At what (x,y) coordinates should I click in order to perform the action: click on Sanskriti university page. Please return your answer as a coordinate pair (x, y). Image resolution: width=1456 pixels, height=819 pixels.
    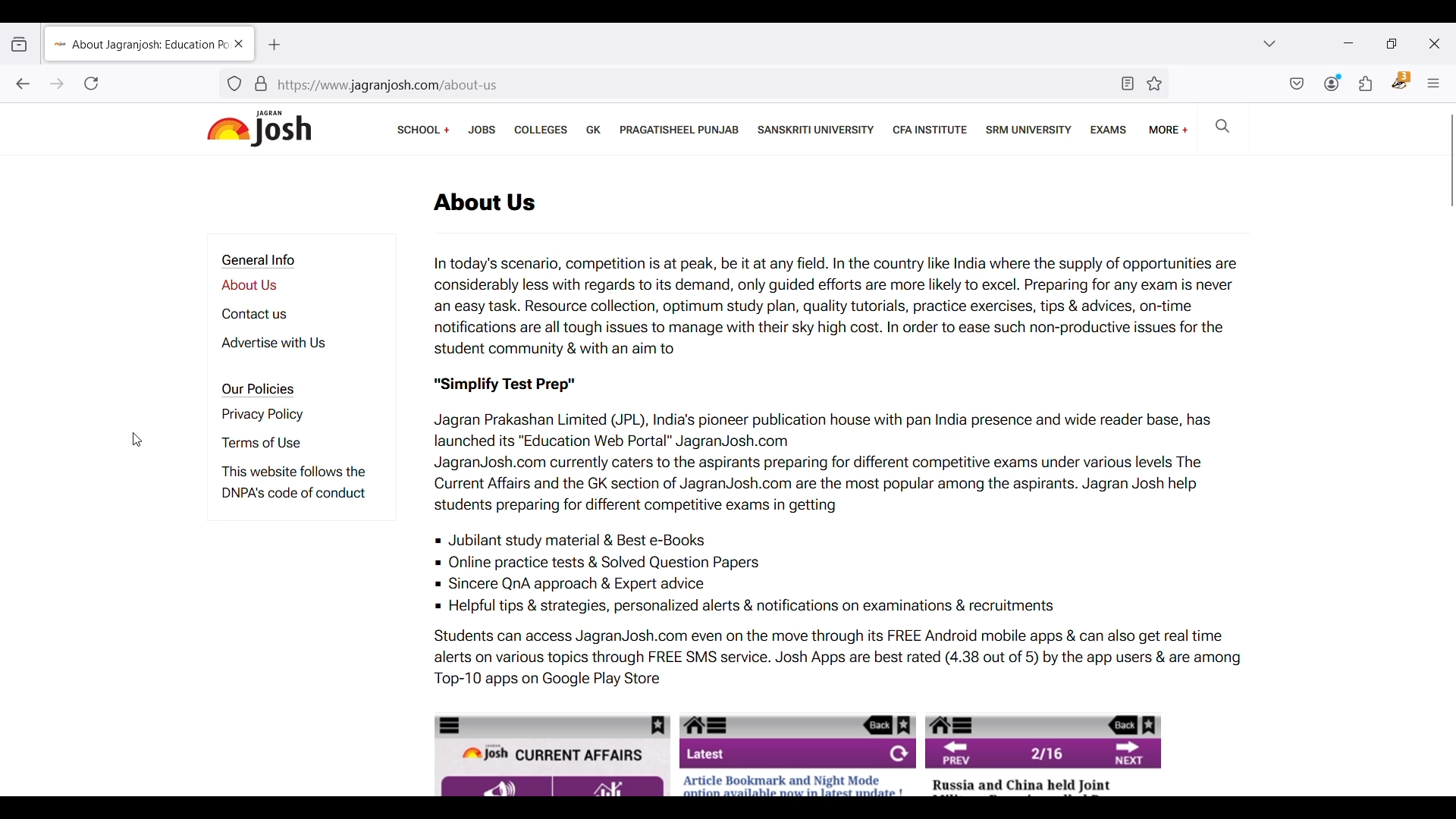
    Looking at the image, I should click on (816, 131).